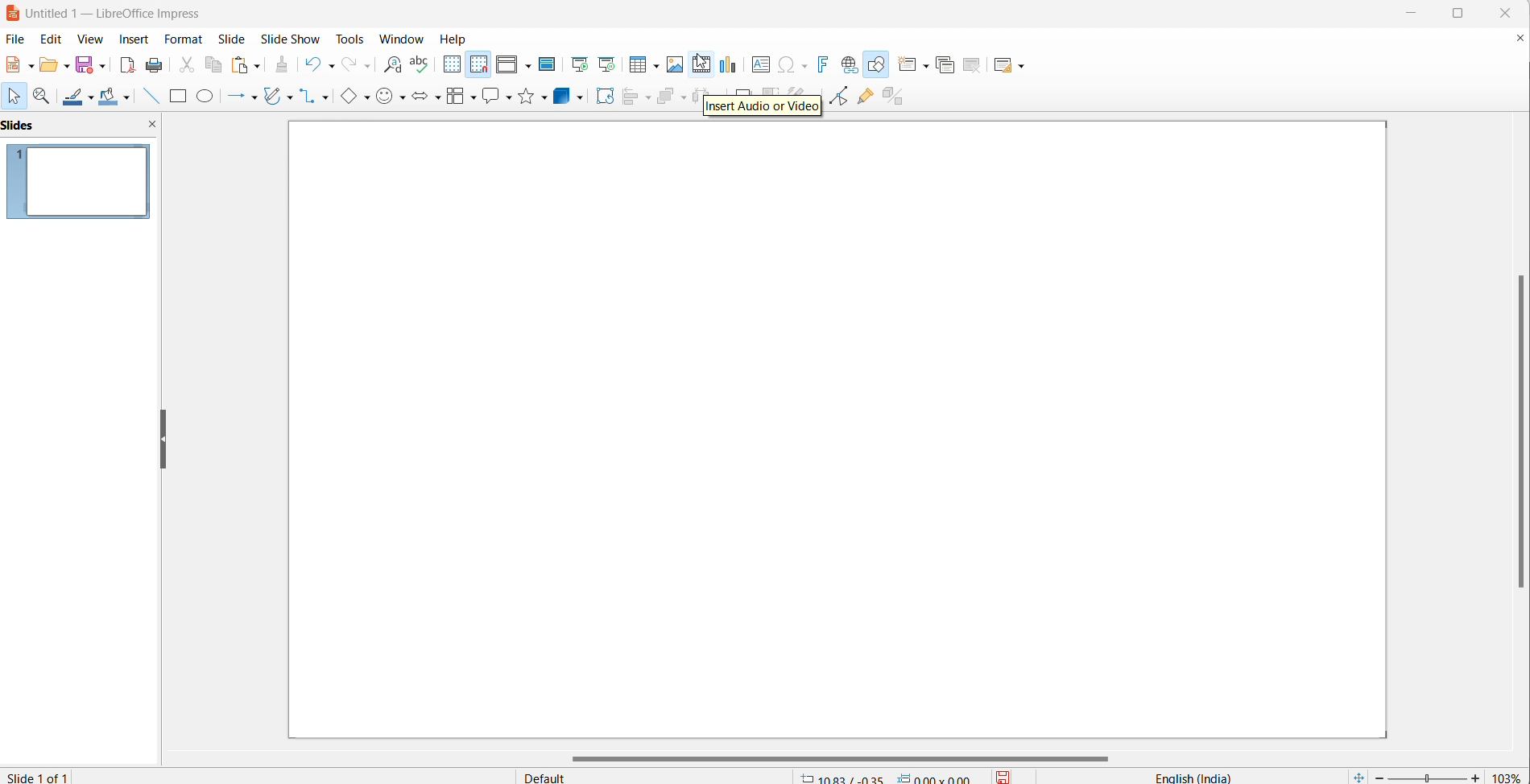 This screenshot has height=784, width=1530. I want to click on open, so click(49, 67).